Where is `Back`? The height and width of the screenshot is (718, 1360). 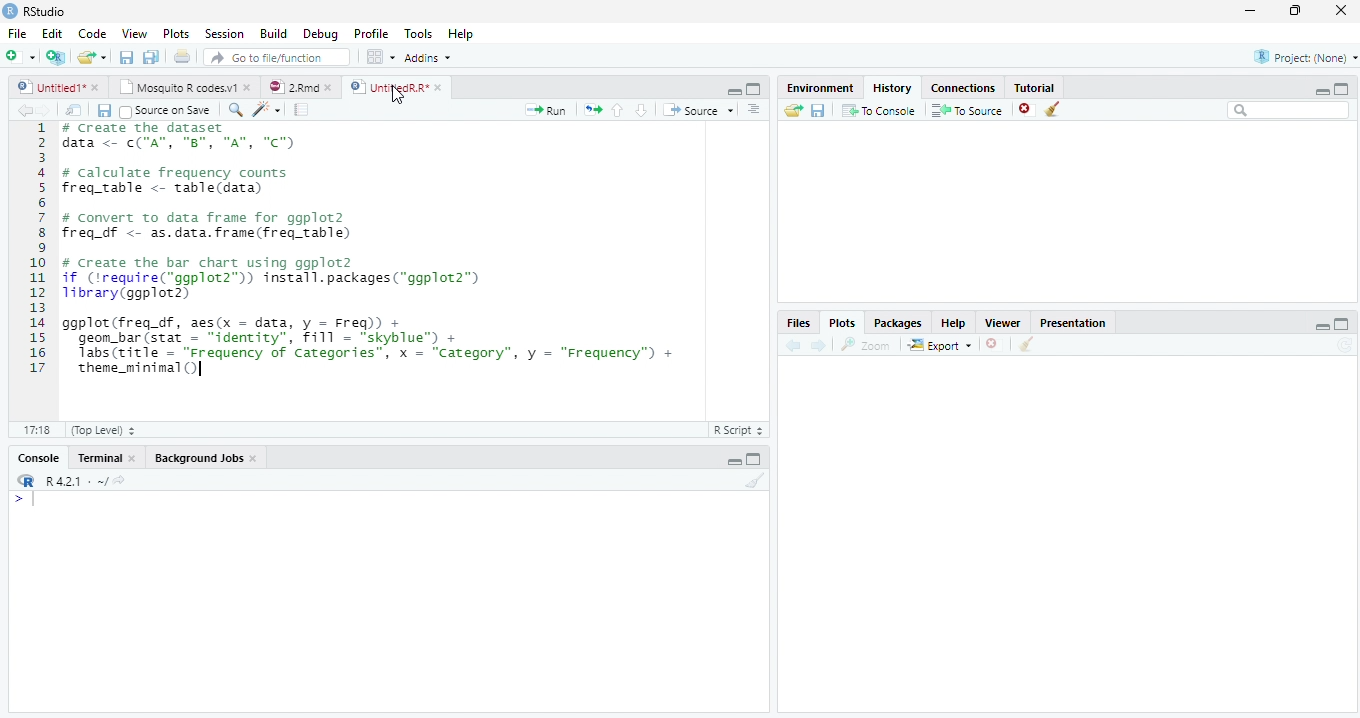 Back is located at coordinates (795, 345).